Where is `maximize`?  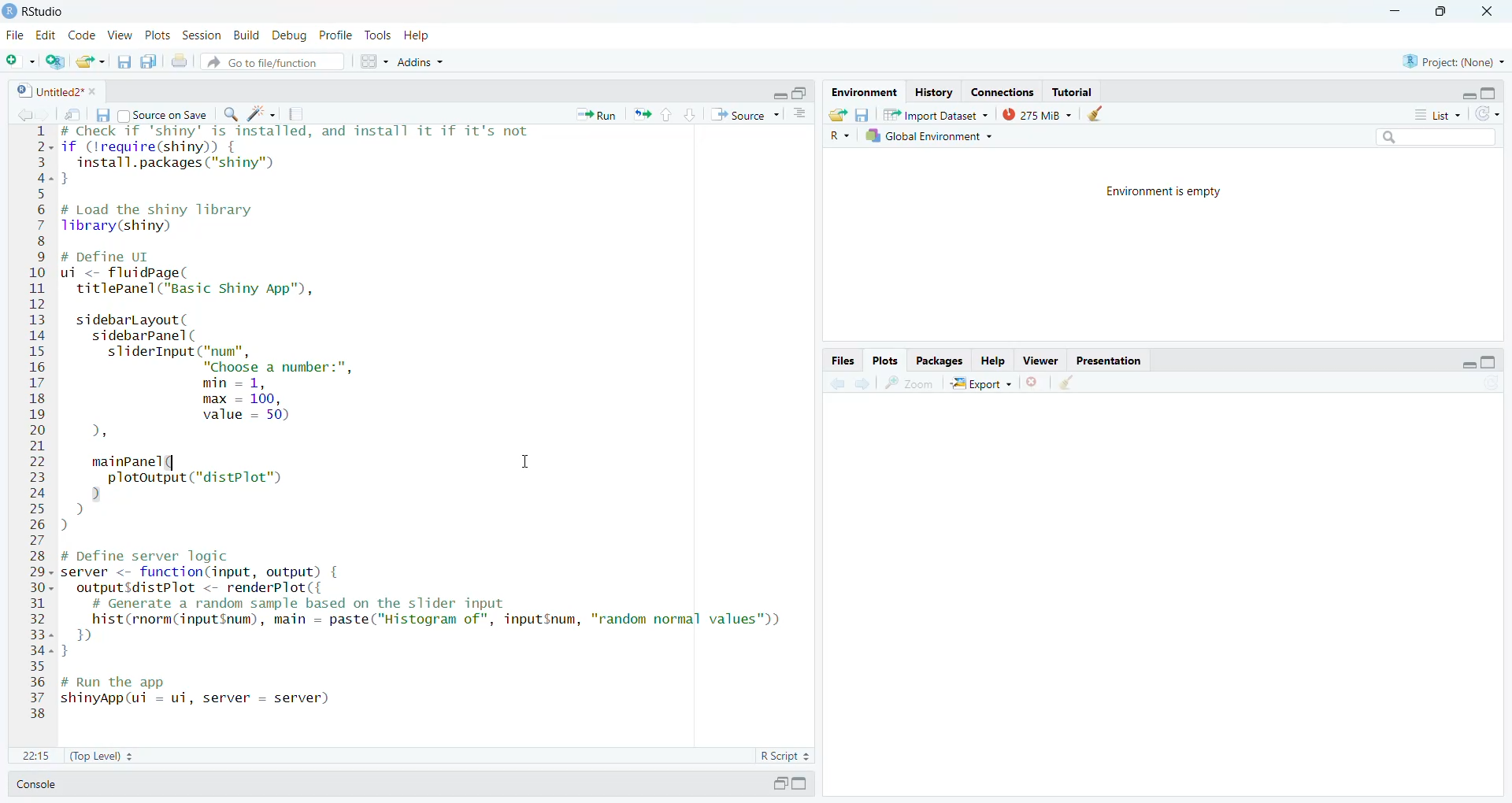
maximize is located at coordinates (1490, 362).